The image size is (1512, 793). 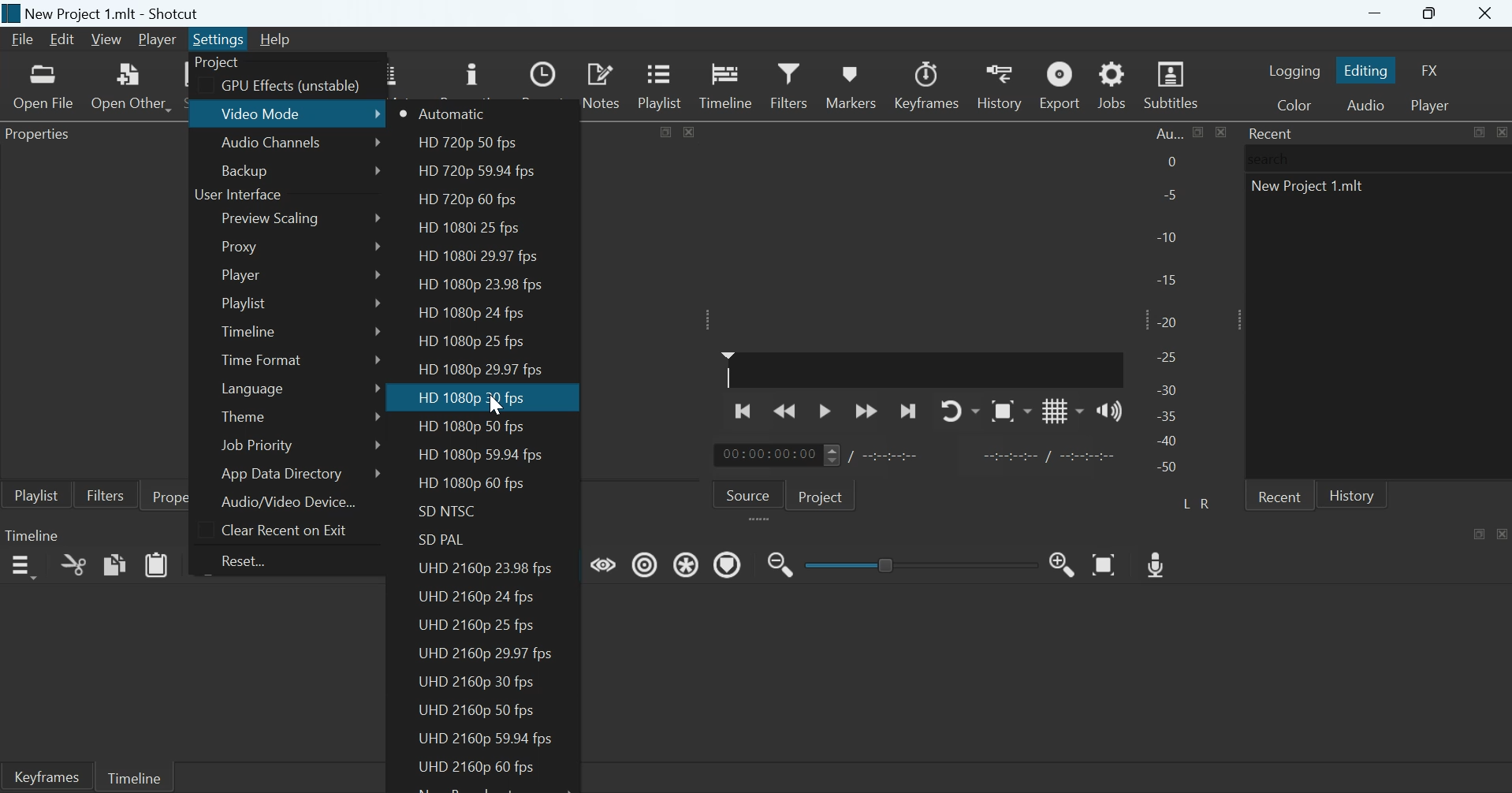 What do you see at coordinates (131, 86) in the screenshot?
I see `Open a device, stream or generator` at bounding box center [131, 86].